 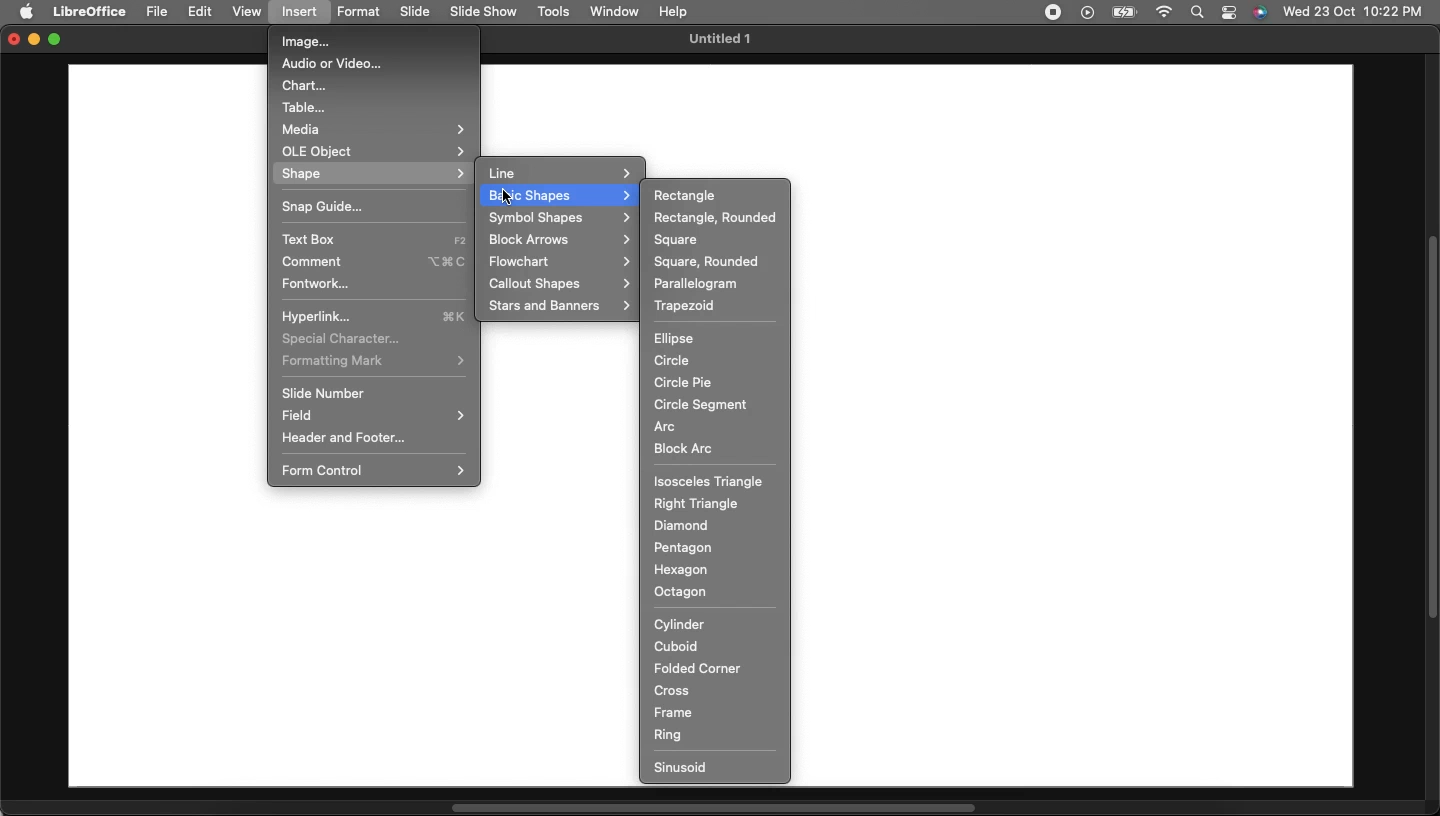 What do you see at coordinates (377, 469) in the screenshot?
I see `Form control` at bounding box center [377, 469].